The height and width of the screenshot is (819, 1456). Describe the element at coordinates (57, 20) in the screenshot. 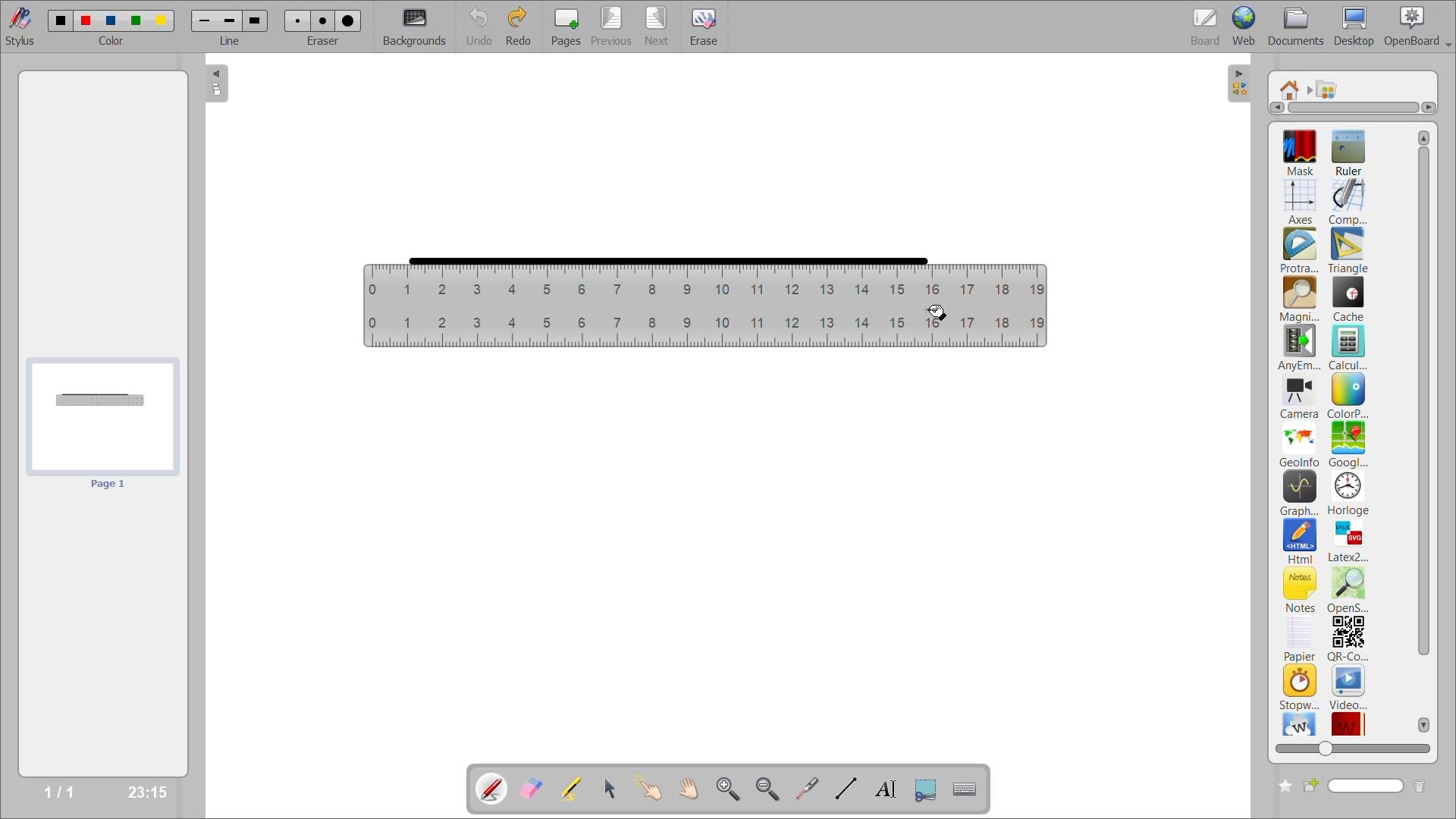

I see `color 1` at that location.